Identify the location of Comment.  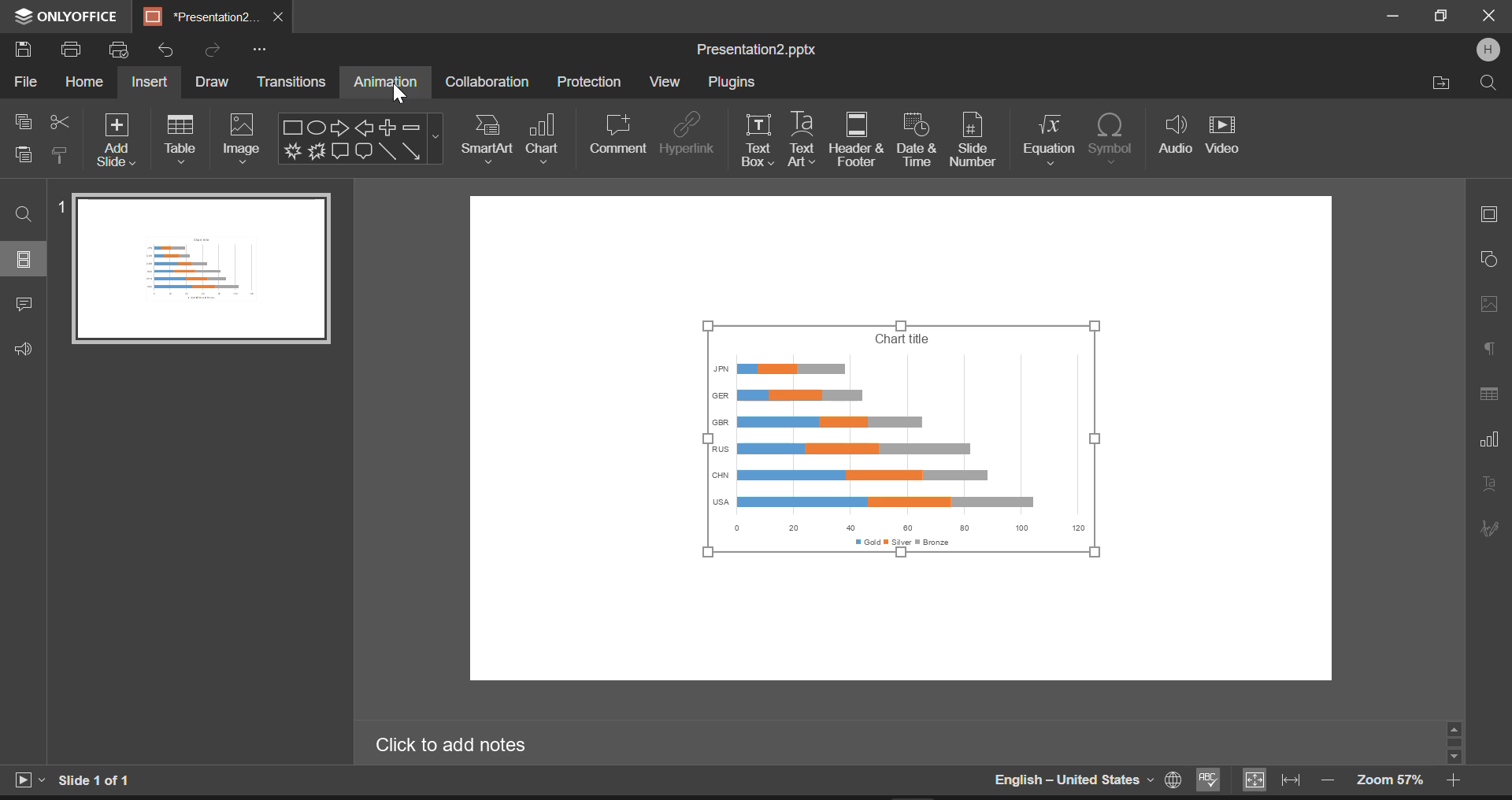
(614, 135).